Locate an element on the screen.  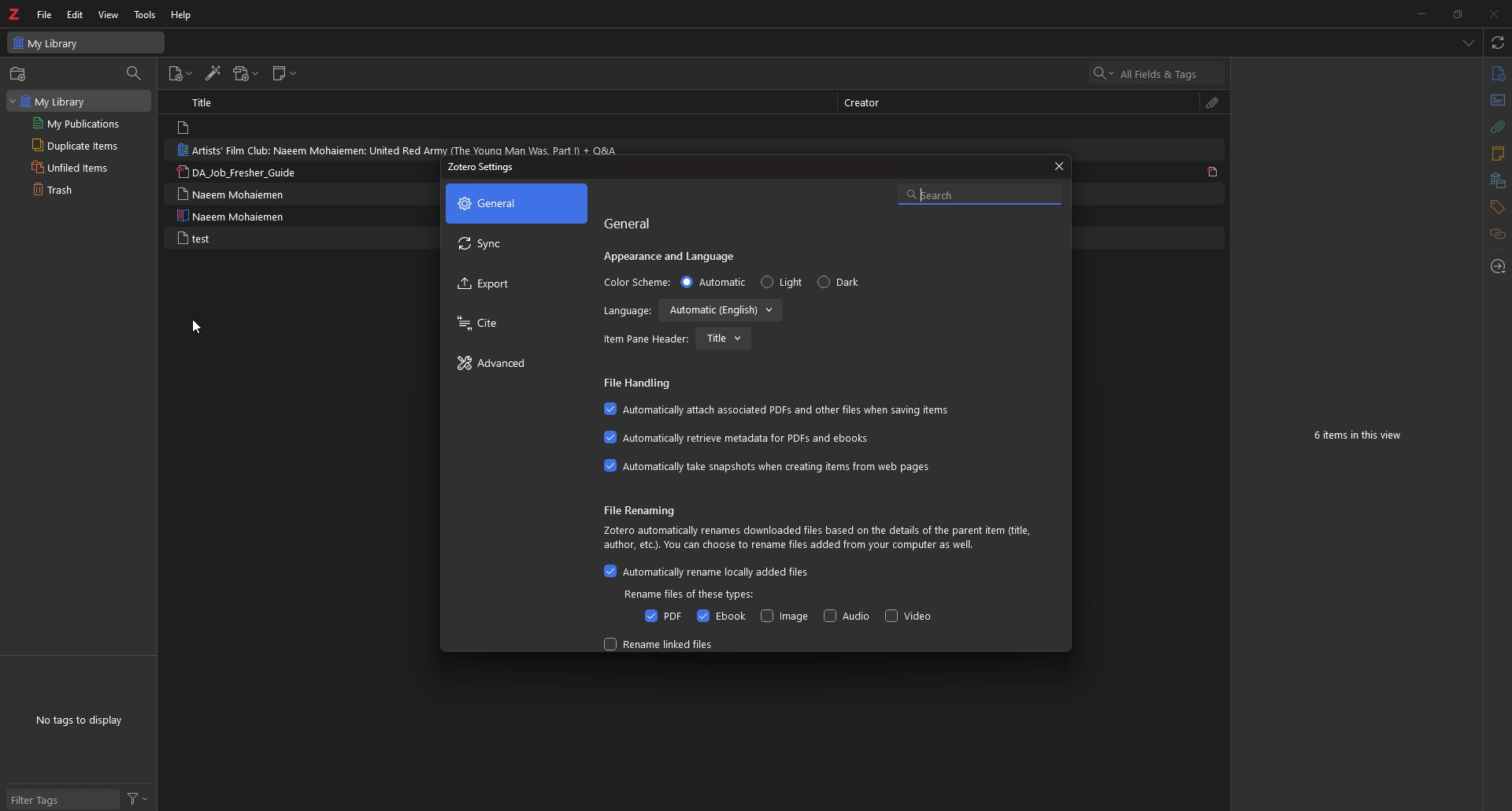
item pane header: is located at coordinates (646, 339).